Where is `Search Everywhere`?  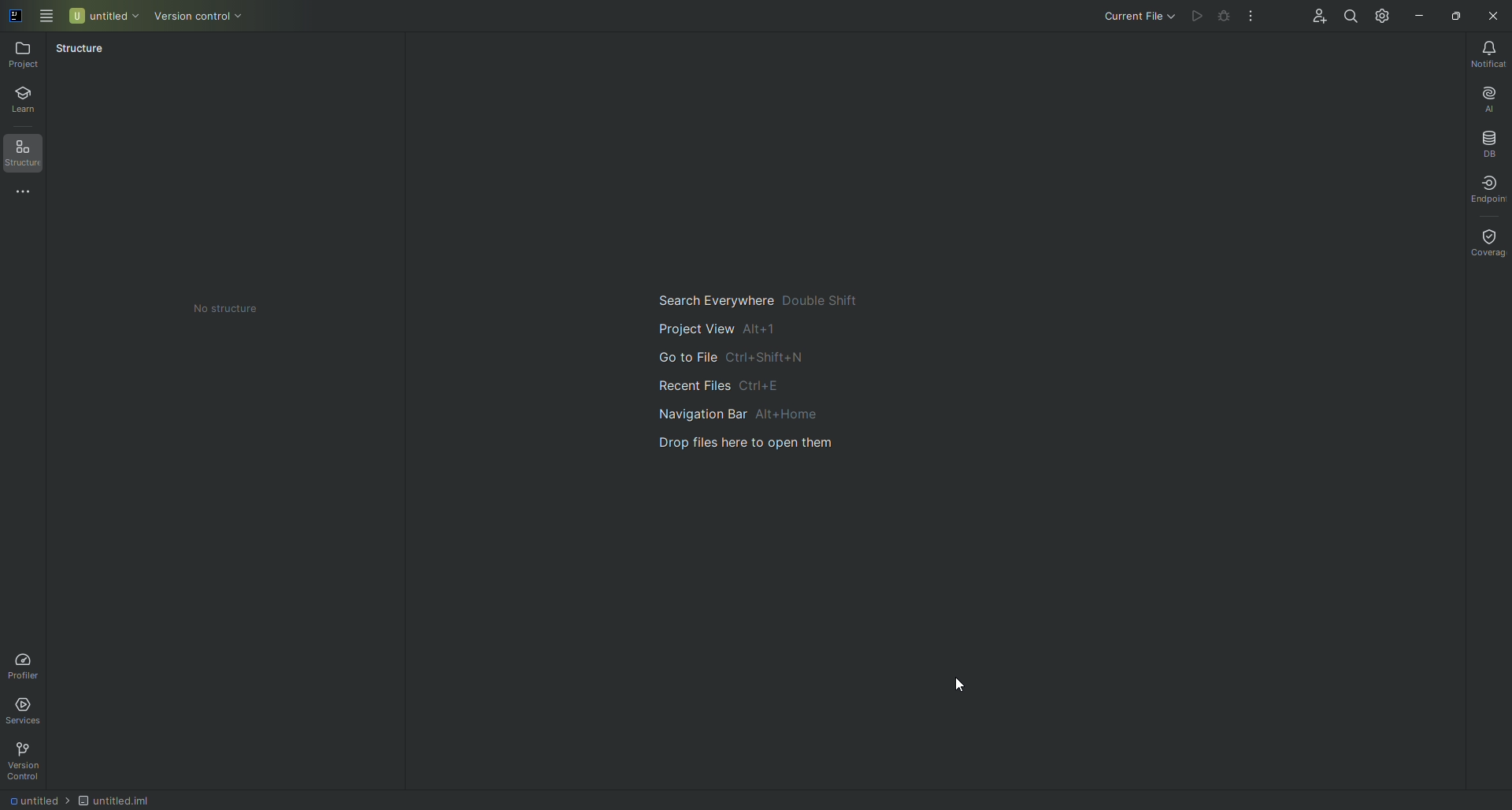
Search Everywhere is located at coordinates (758, 298).